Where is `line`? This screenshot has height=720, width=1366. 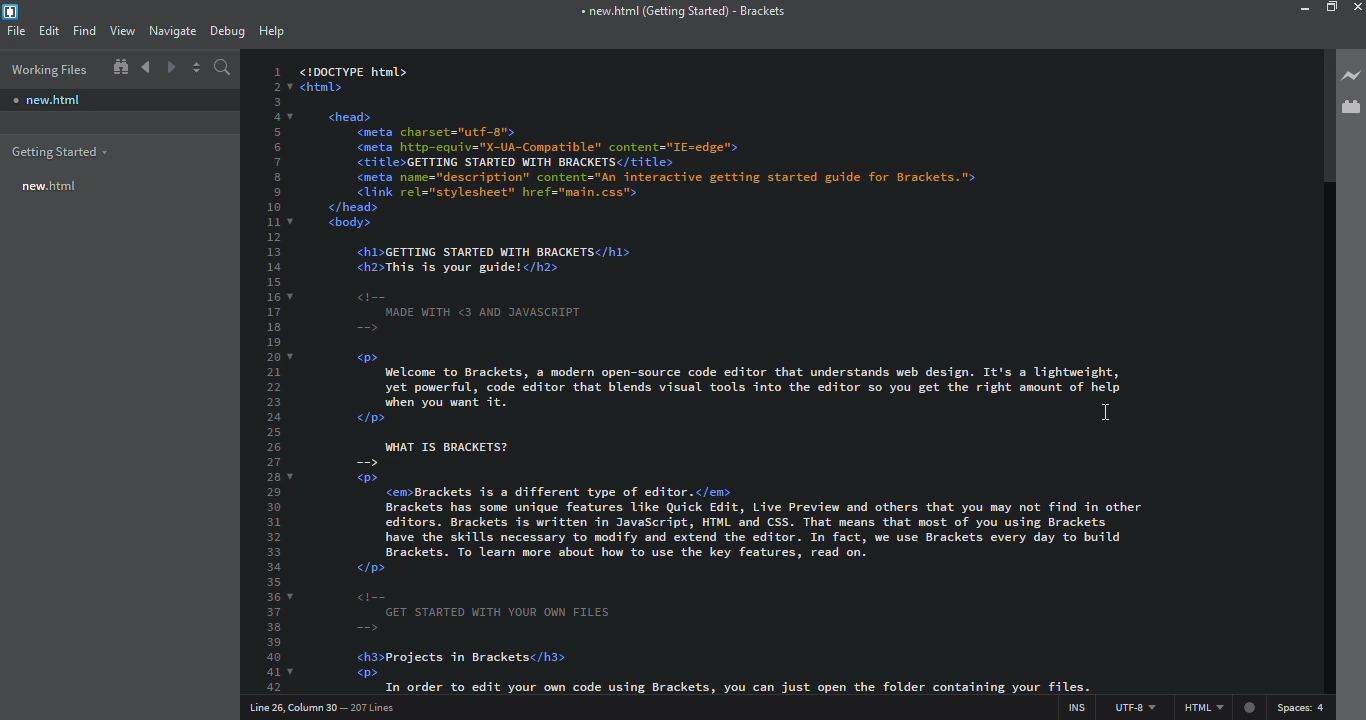 line is located at coordinates (327, 707).